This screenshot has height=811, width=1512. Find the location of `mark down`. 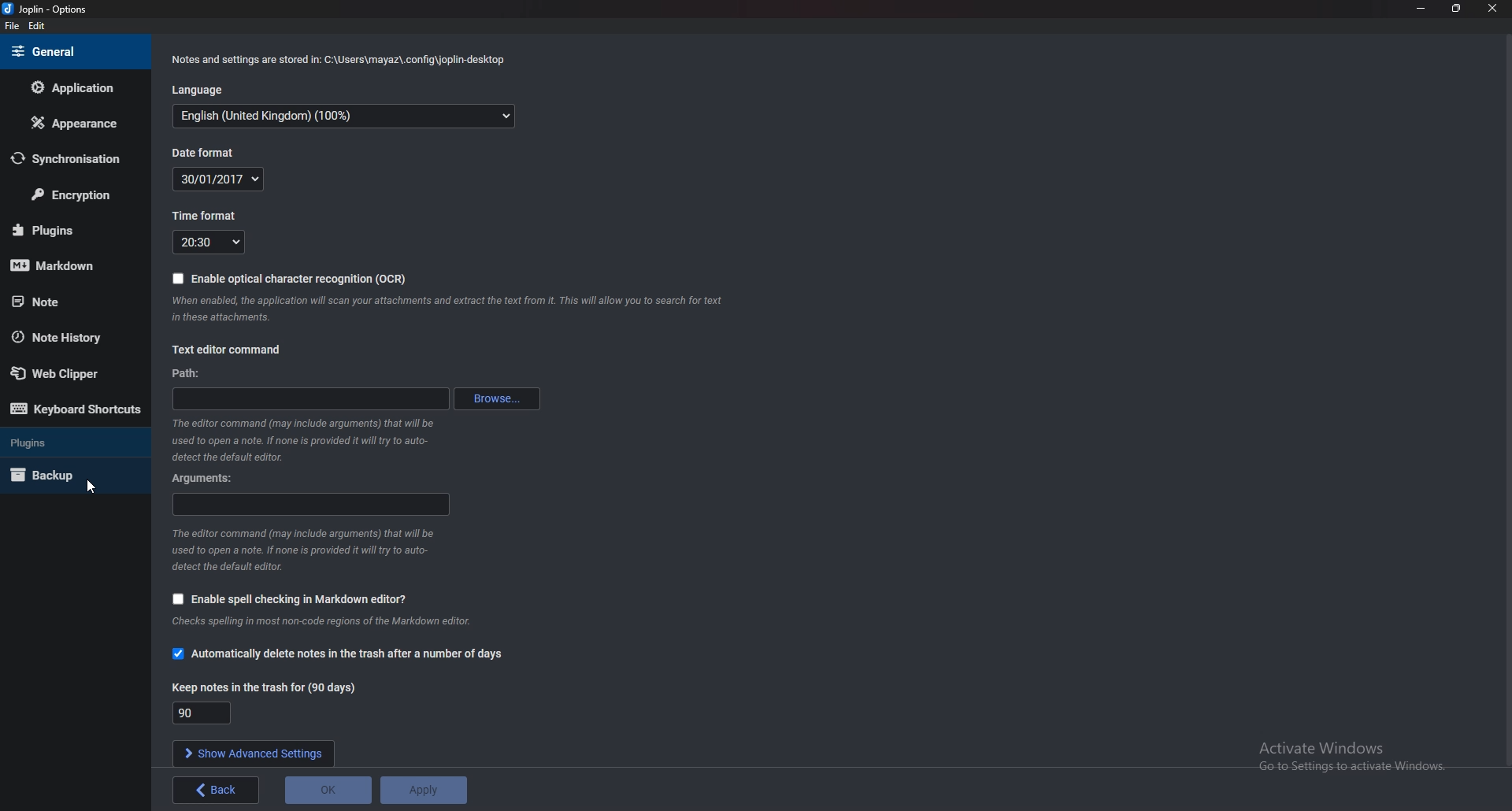

mark down is located at coordinates (64, 267).